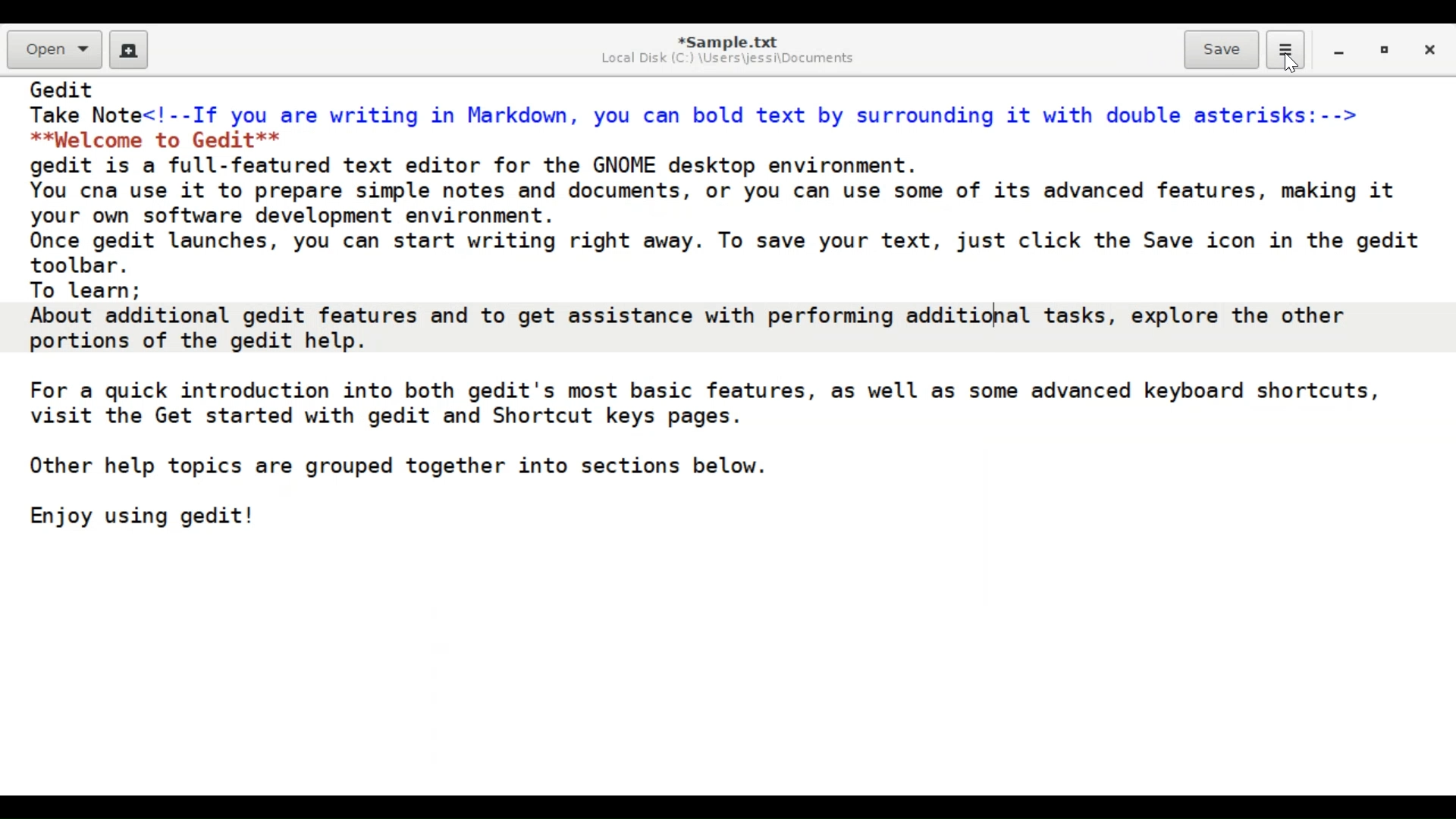 This screenshot has height=819, width=1456. I want to click on Gedit

Take Note<!--If you are writing in Markdown, you can bold text by surrounding it with double asterisks:-->
**Welcome to Gedit**

gedit is a full-featured text editor for the GNOME desktop environment.

You cna use it to prepare simple notes and documents, or you can use some of its advanced features, making it
your own software development environment.

Once gedit launches, you can start writing right away. To save your text, just click the Save icon in the gedit
toolbar.

To learn;

About additional gedit features and to get assistance with performing additiohal tasks, explore the other
portions of the gedit help.

For a quick introduction into both gedit's most basic features, as well as some advanced keyboard shortcuts,
visit the Get started with gedit and Shortcut keys pages.

Other help topics are grouped together into sections below.

Enjoy using gedit!, so click(729, 312).